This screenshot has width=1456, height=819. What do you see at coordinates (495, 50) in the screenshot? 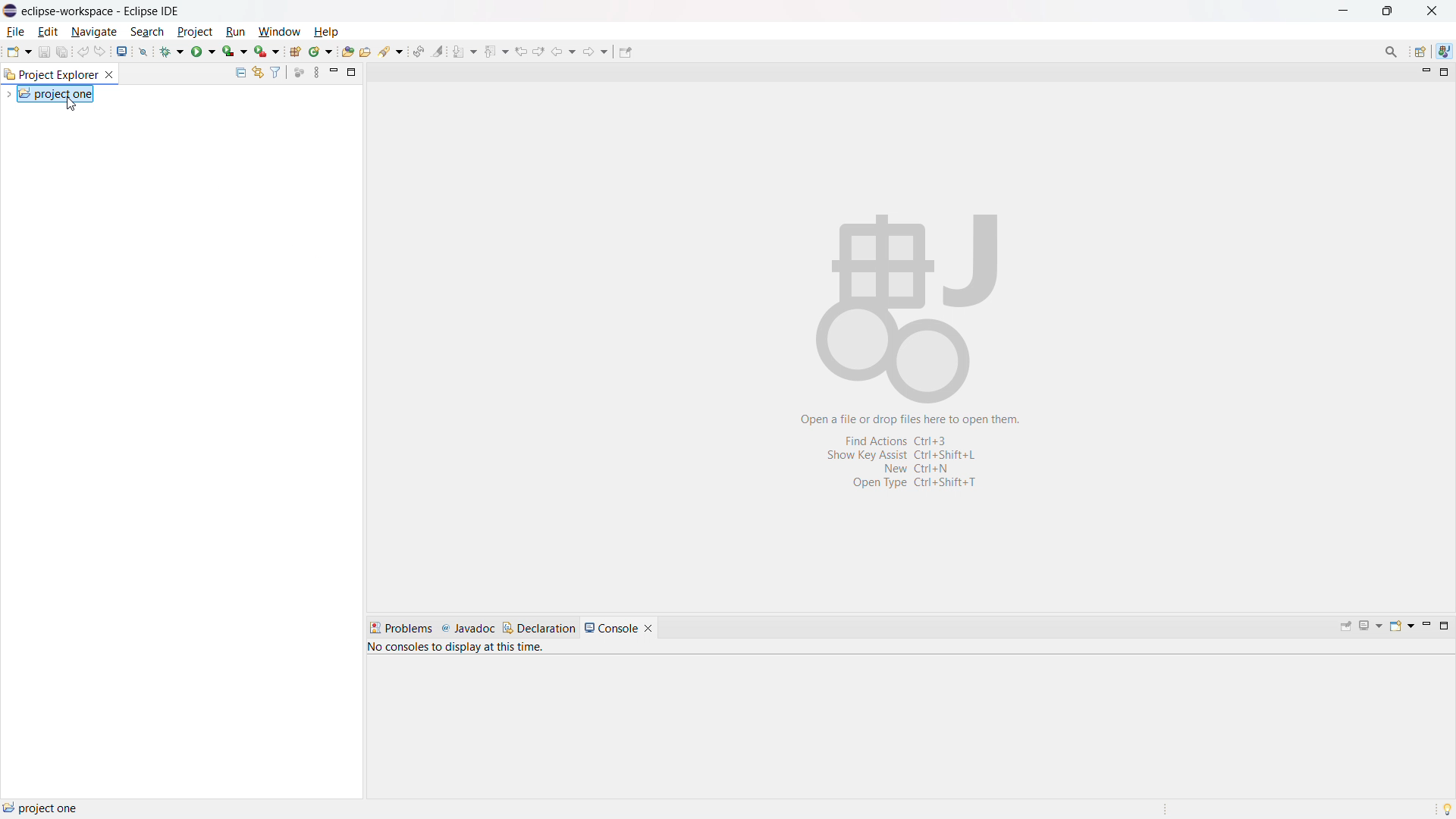
I see `previous annotation` at bounding box center [495, 50].